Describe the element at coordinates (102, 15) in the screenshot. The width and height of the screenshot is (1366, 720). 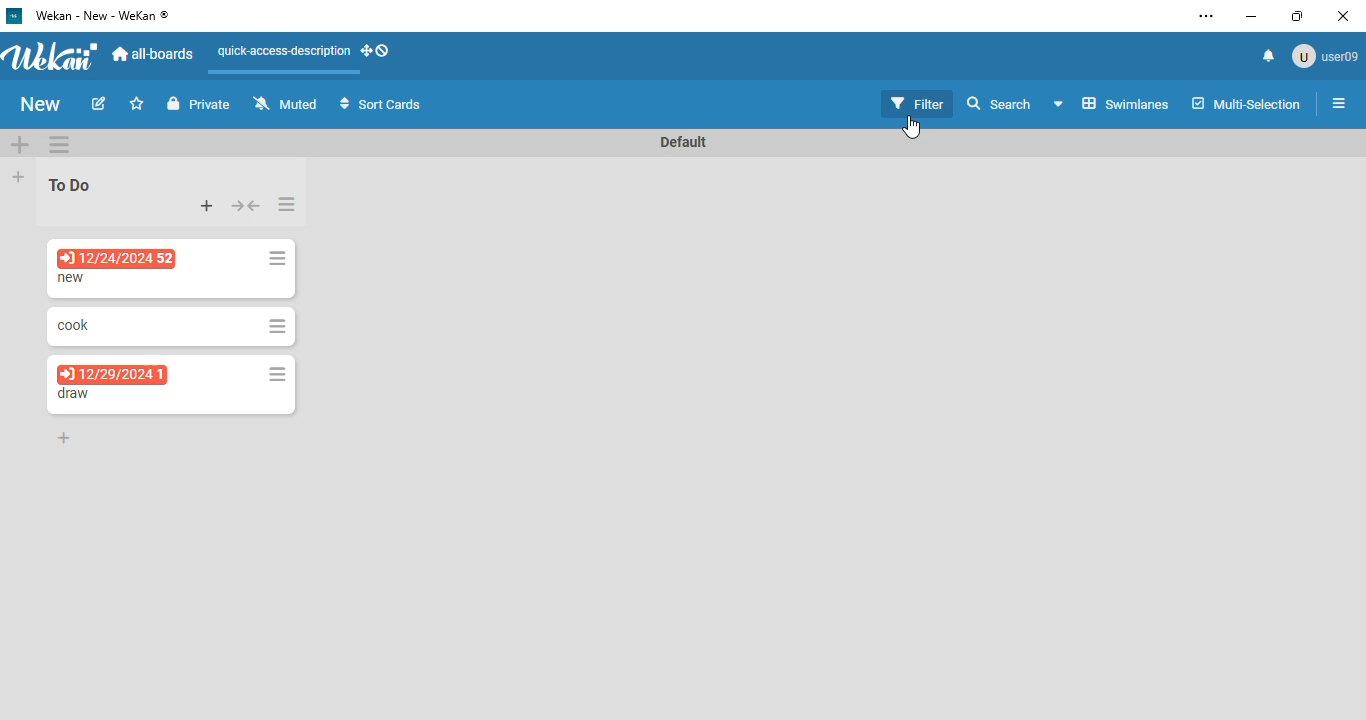
I see `wekan - new - wekan ` at that location.